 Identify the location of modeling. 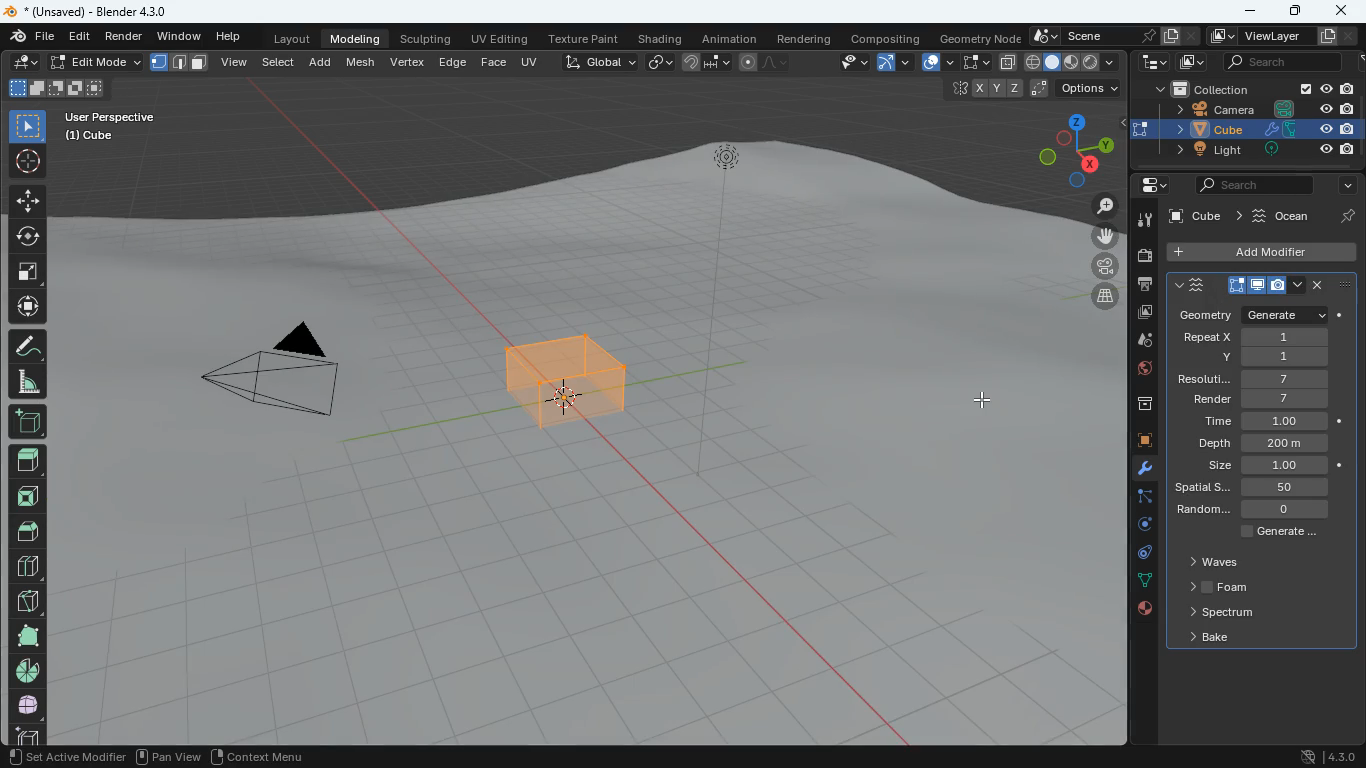
(356, 37).